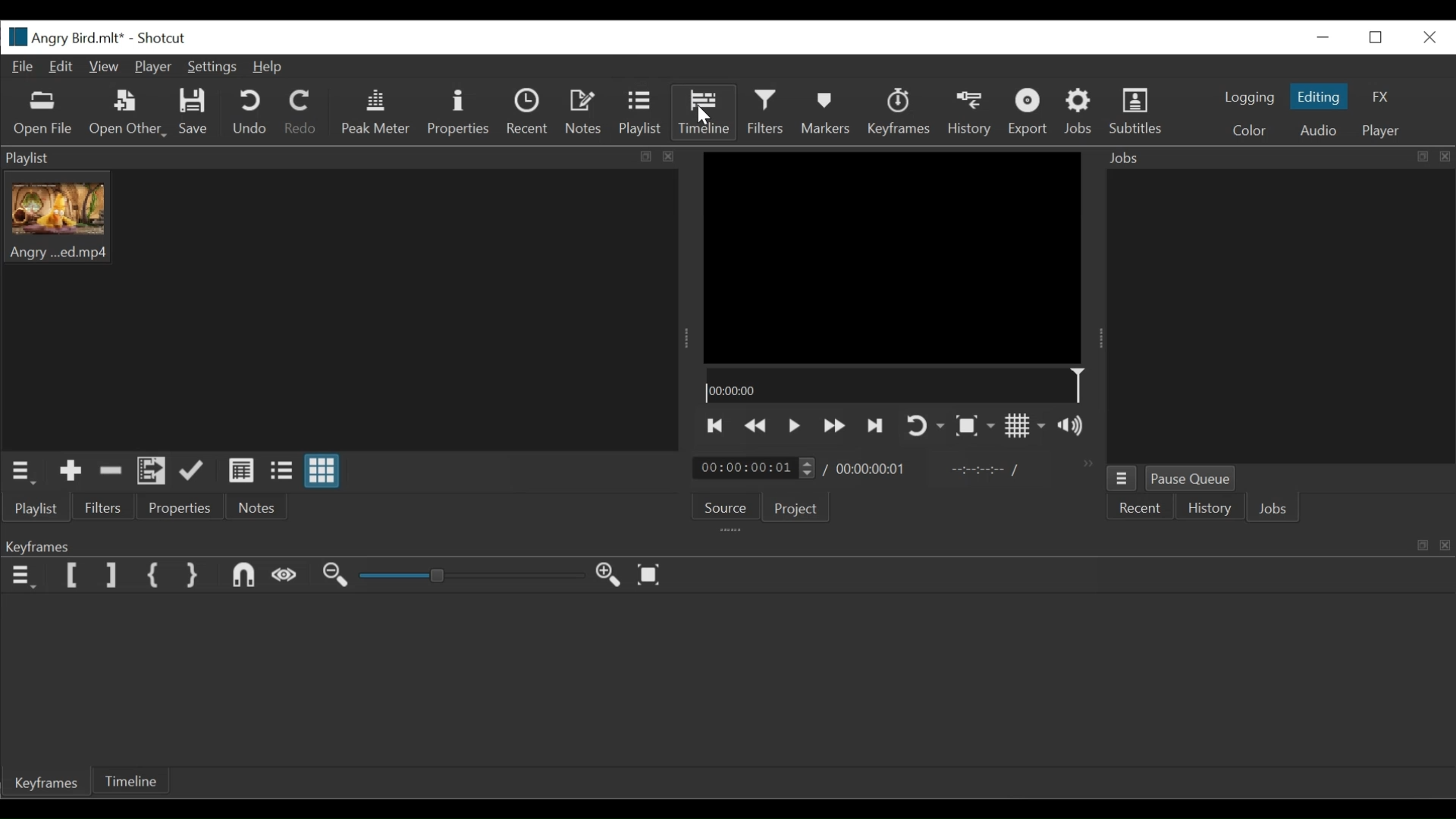  I want to click on In point, so click(984, 469).